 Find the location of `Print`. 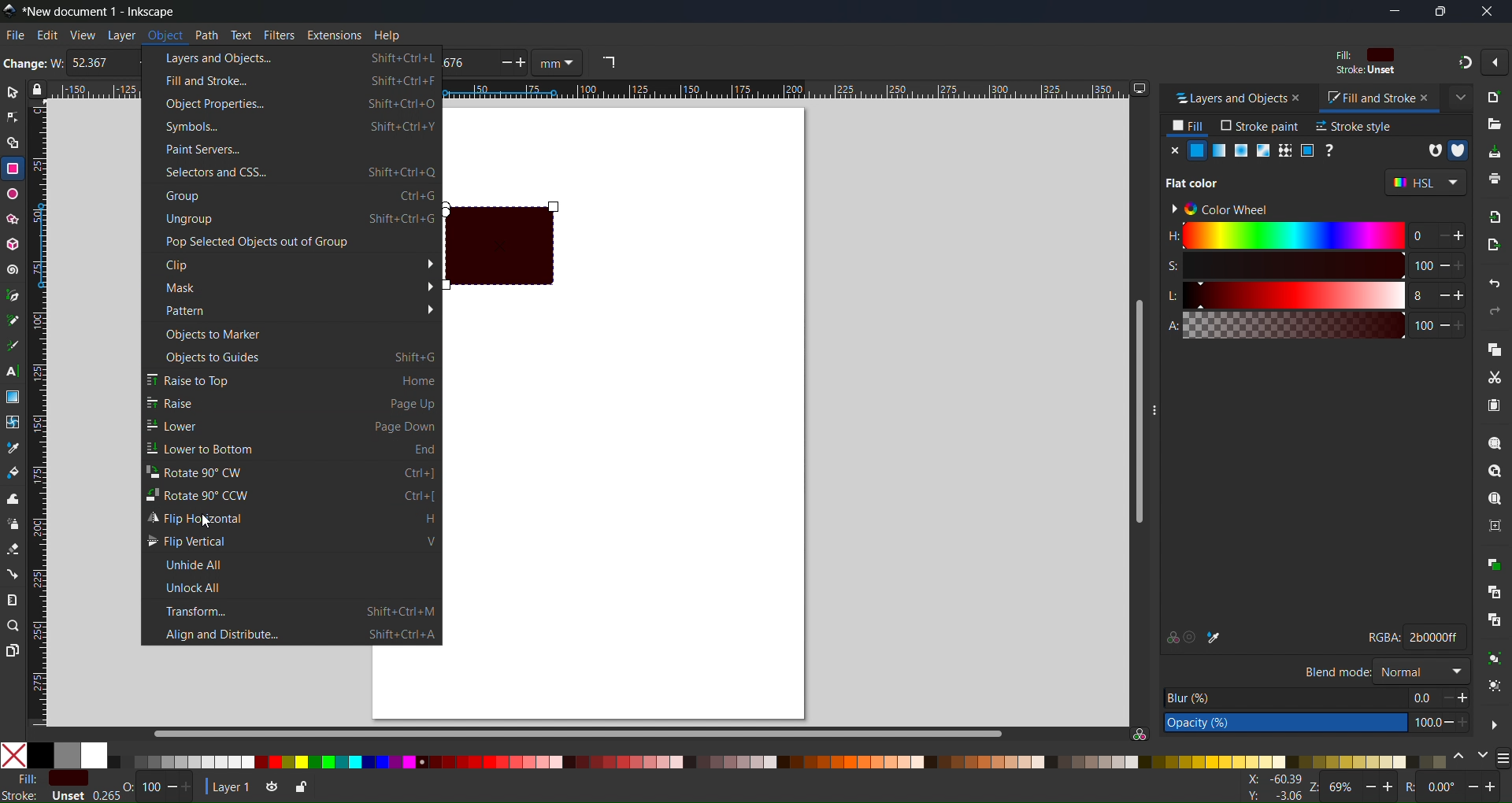

Print is located at coordinates (1494, 179).